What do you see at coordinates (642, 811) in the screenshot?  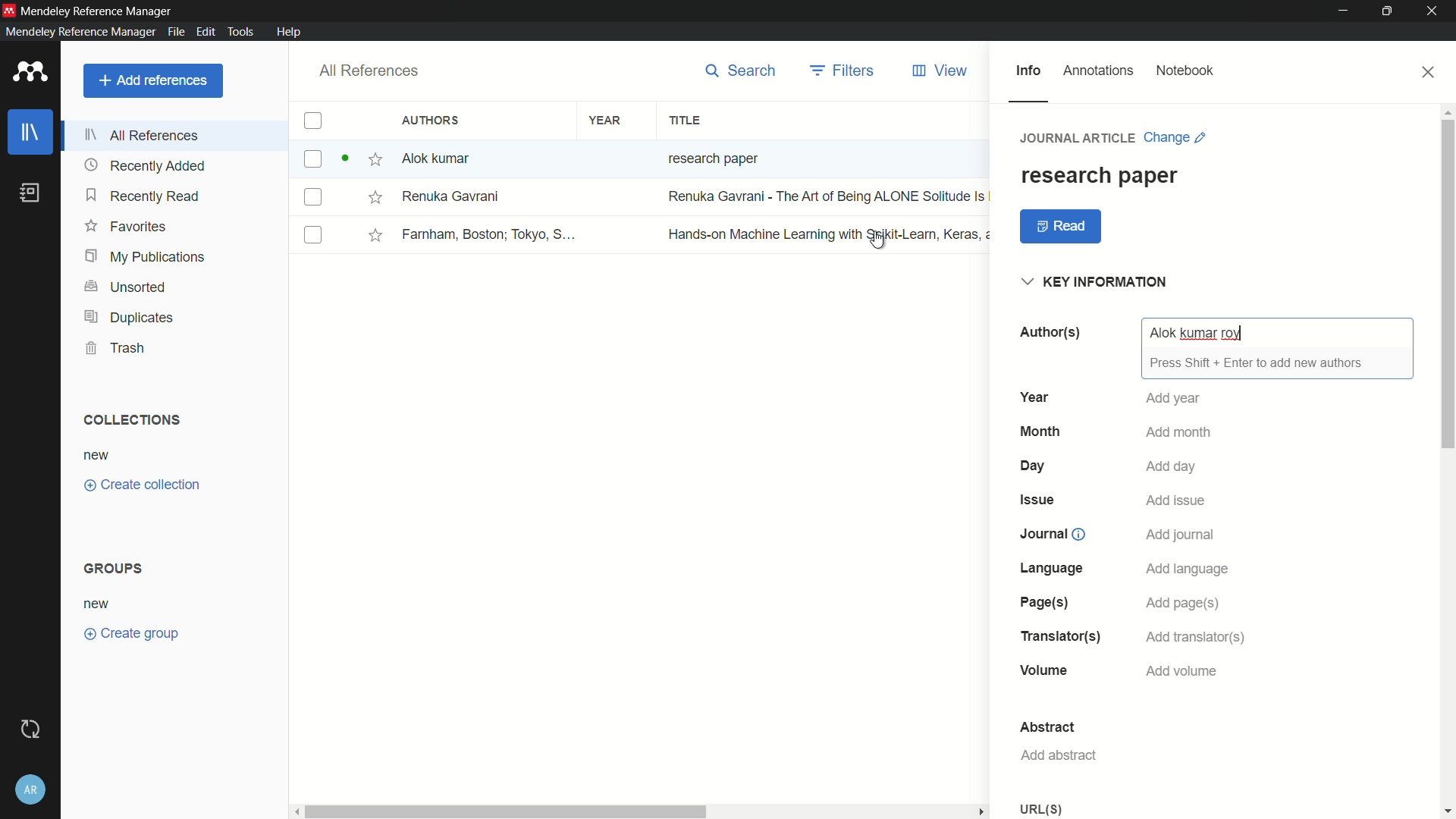 I see `horizontal scrollbar` at bounding box center [642, 811].